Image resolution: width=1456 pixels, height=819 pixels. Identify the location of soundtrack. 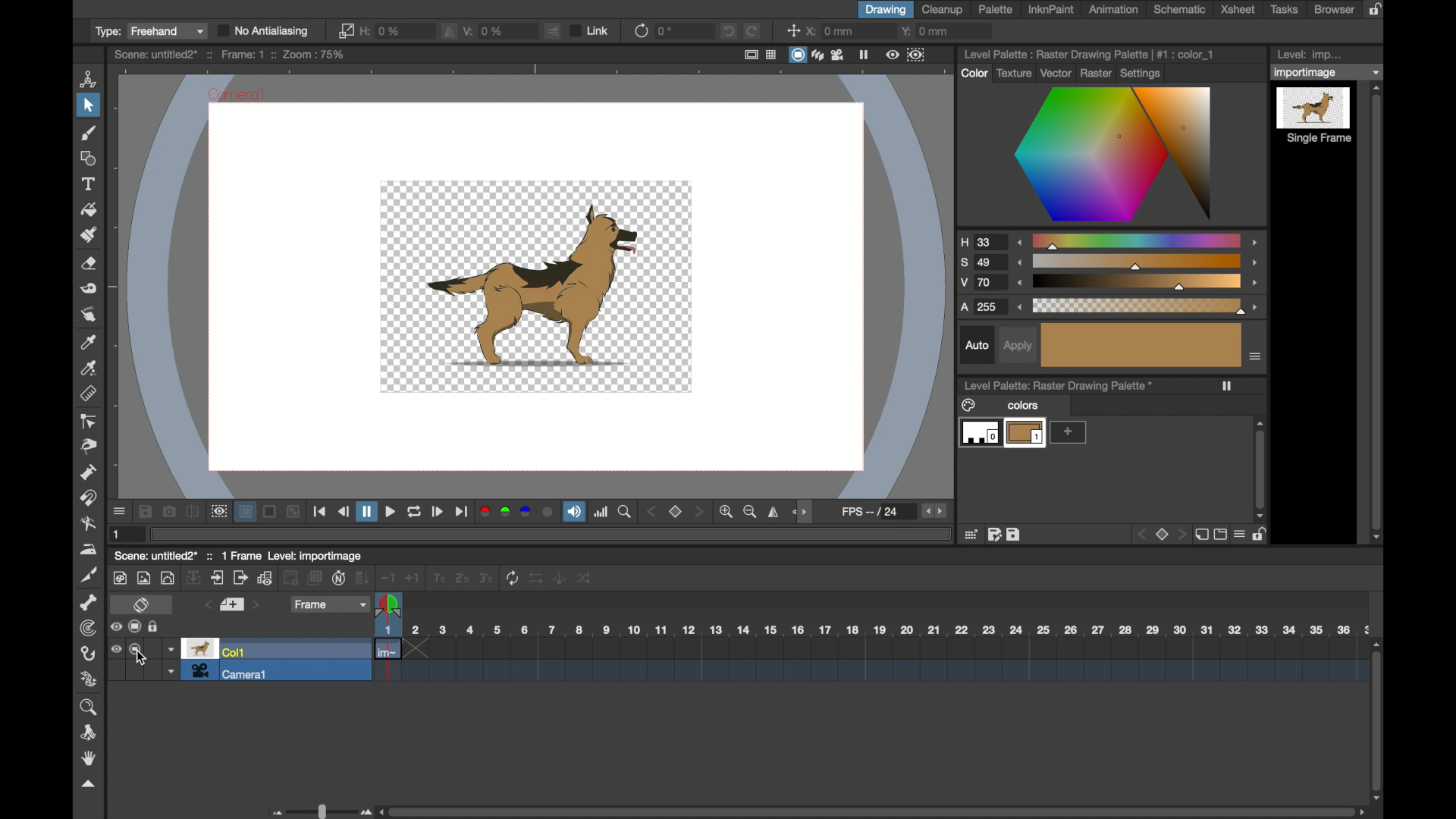
(574, 513).